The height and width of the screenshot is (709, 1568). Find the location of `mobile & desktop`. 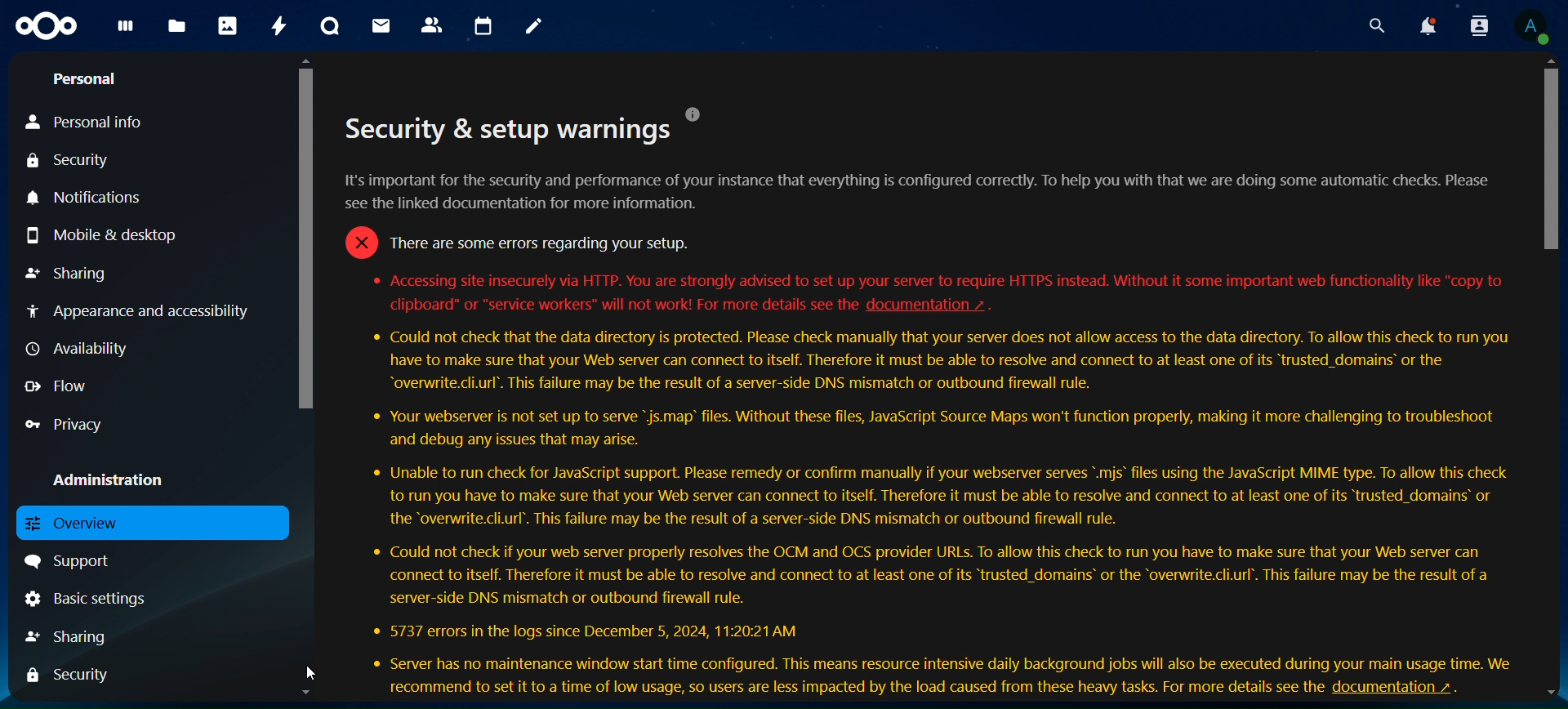

mobile & desktop is located at coordinates (100, 231).